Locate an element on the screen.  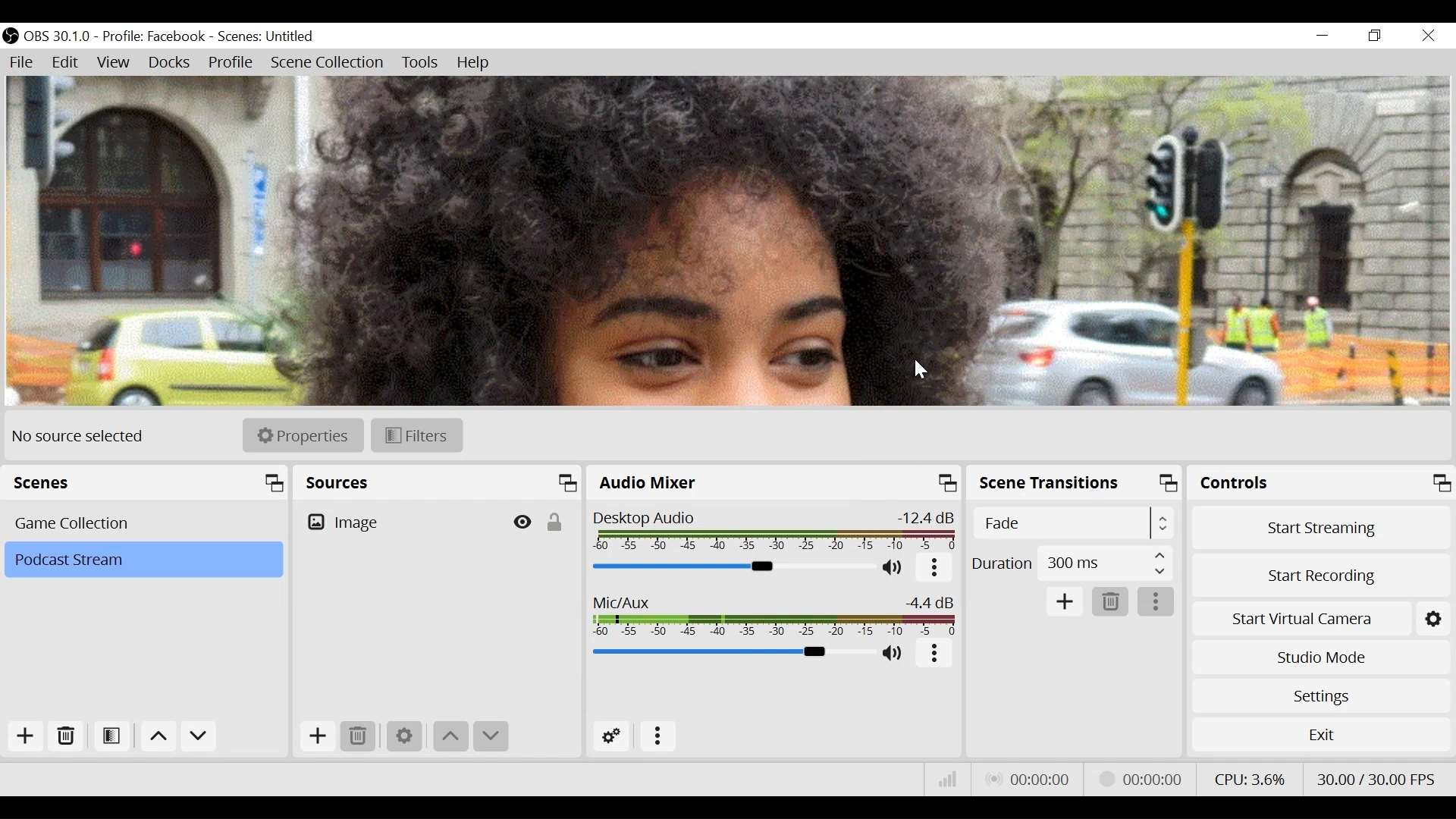
Stream Status is located at coordinates (1141, 780).